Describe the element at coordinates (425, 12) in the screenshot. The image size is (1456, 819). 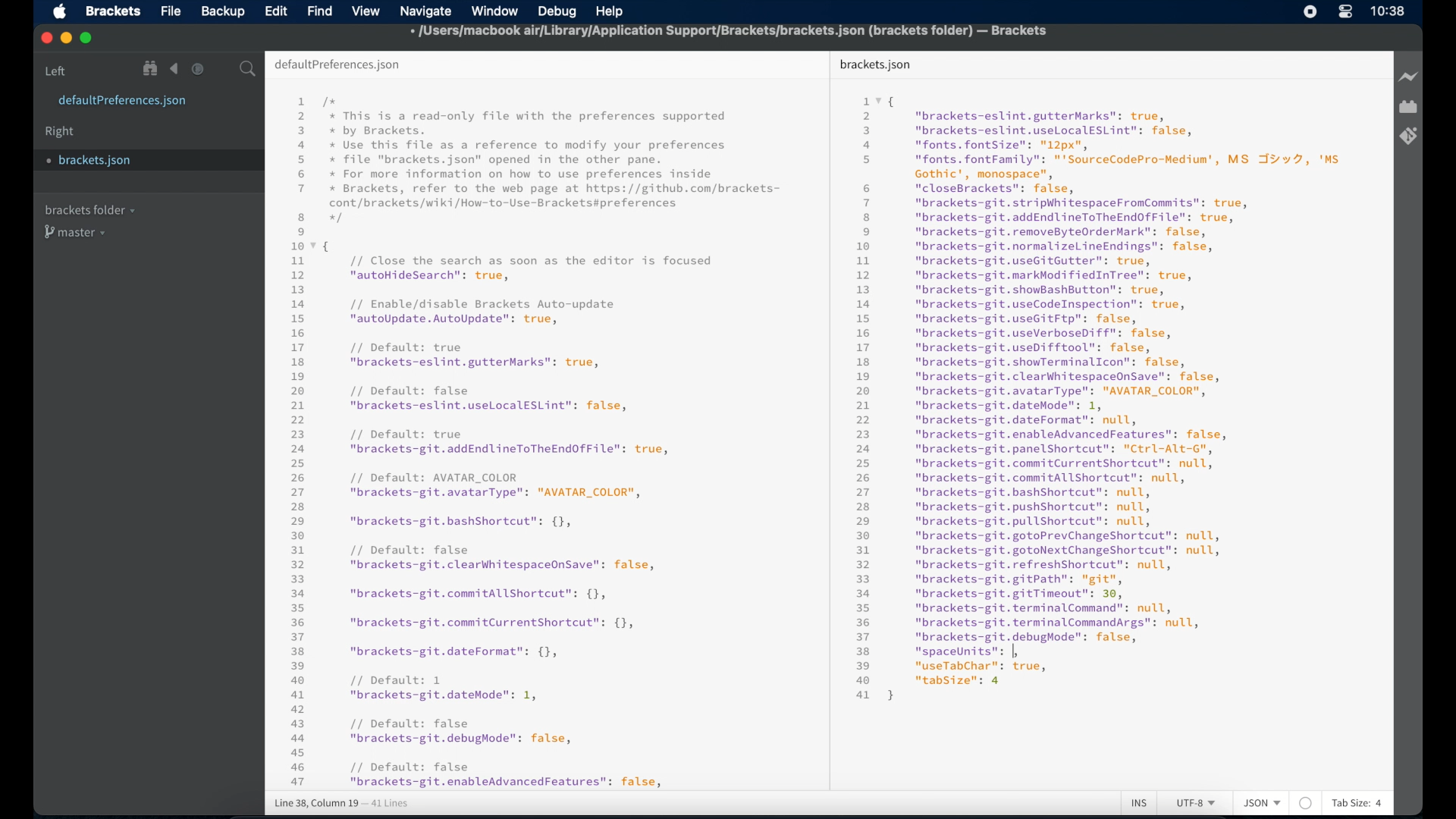
I see `navigate` at that location.